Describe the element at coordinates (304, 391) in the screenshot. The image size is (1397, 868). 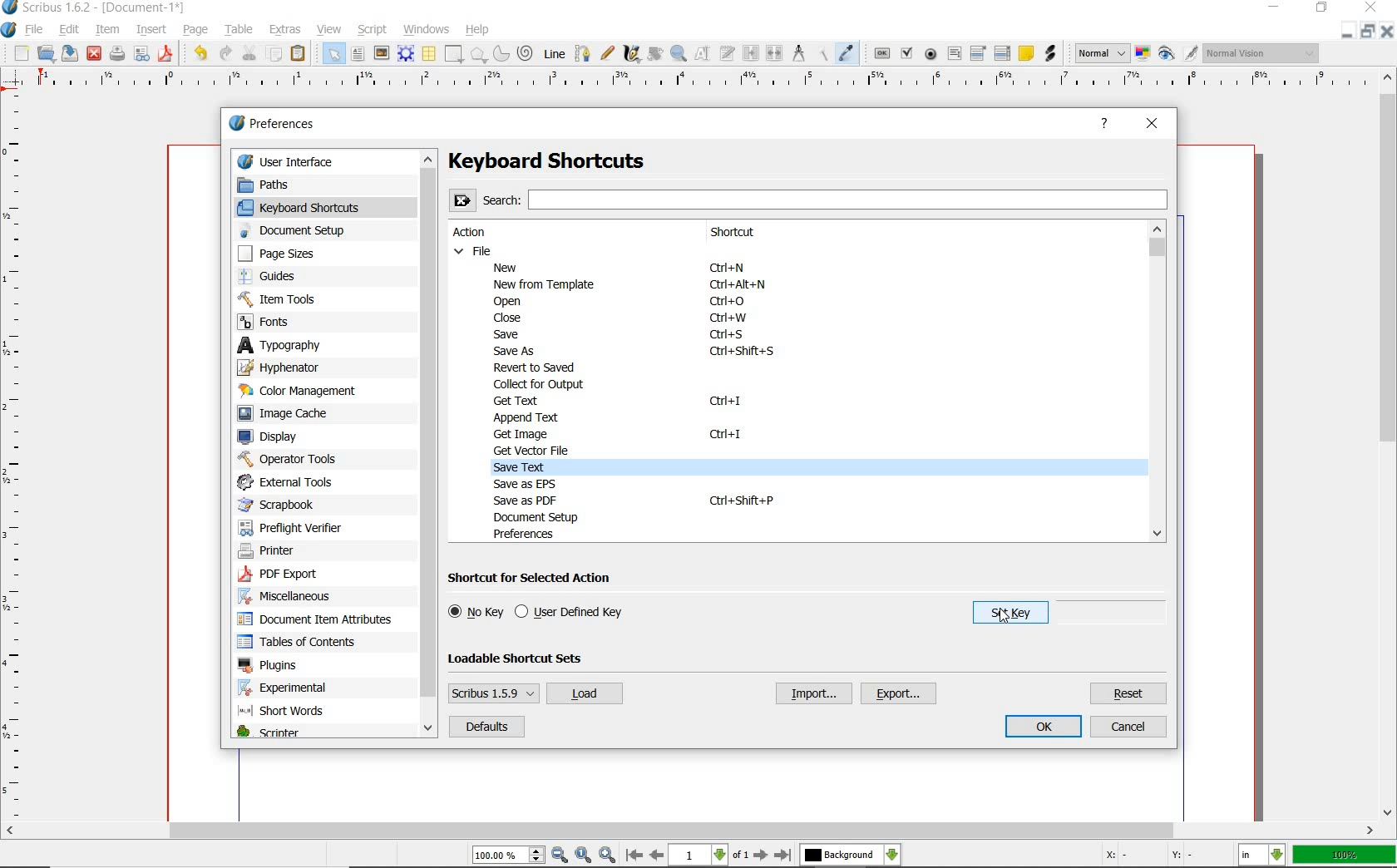
I see `color management` at that location.